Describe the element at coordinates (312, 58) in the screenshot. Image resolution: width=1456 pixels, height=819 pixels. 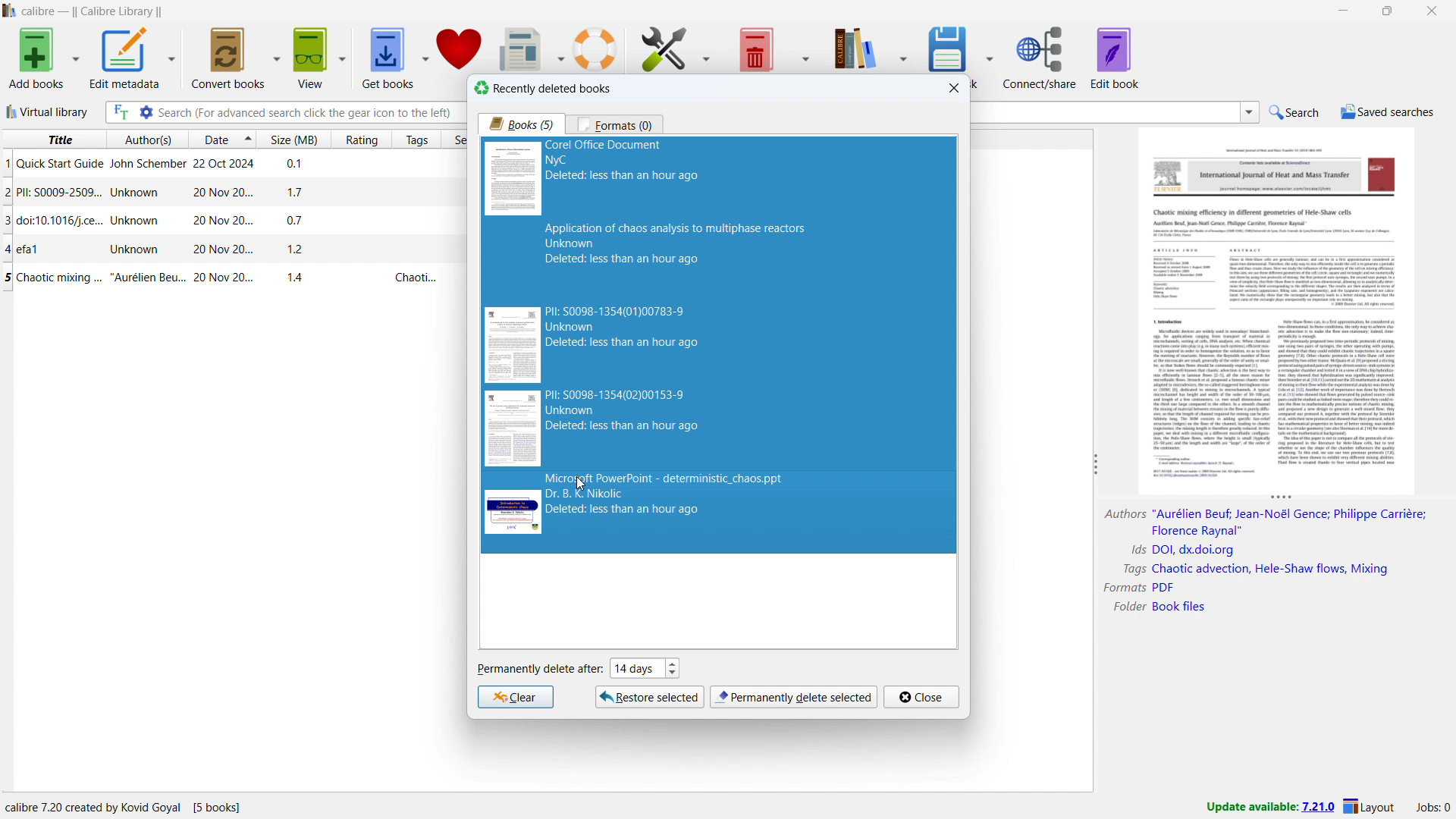
I see `view` at that location.